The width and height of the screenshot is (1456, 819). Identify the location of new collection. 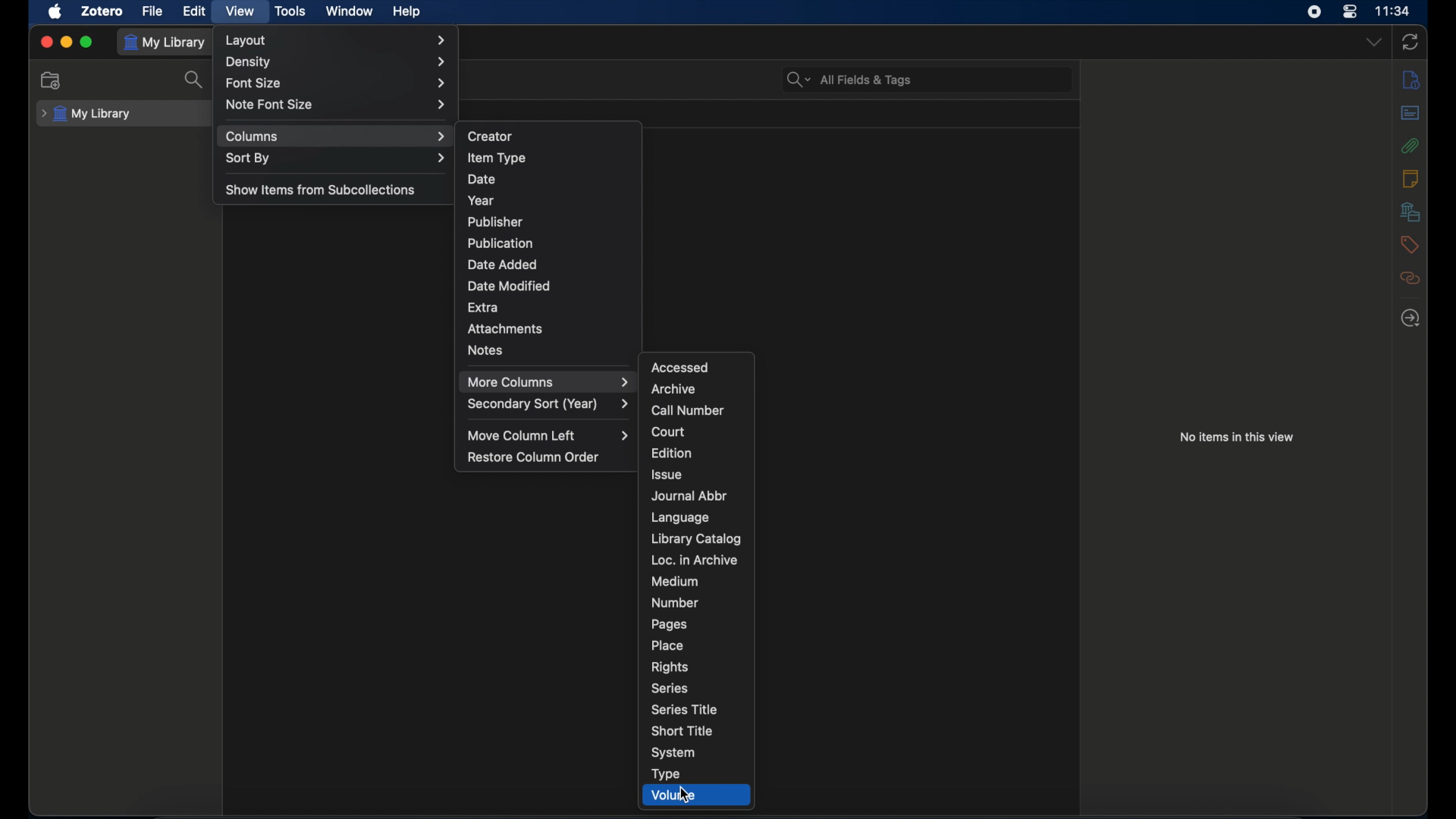
(52, 81).